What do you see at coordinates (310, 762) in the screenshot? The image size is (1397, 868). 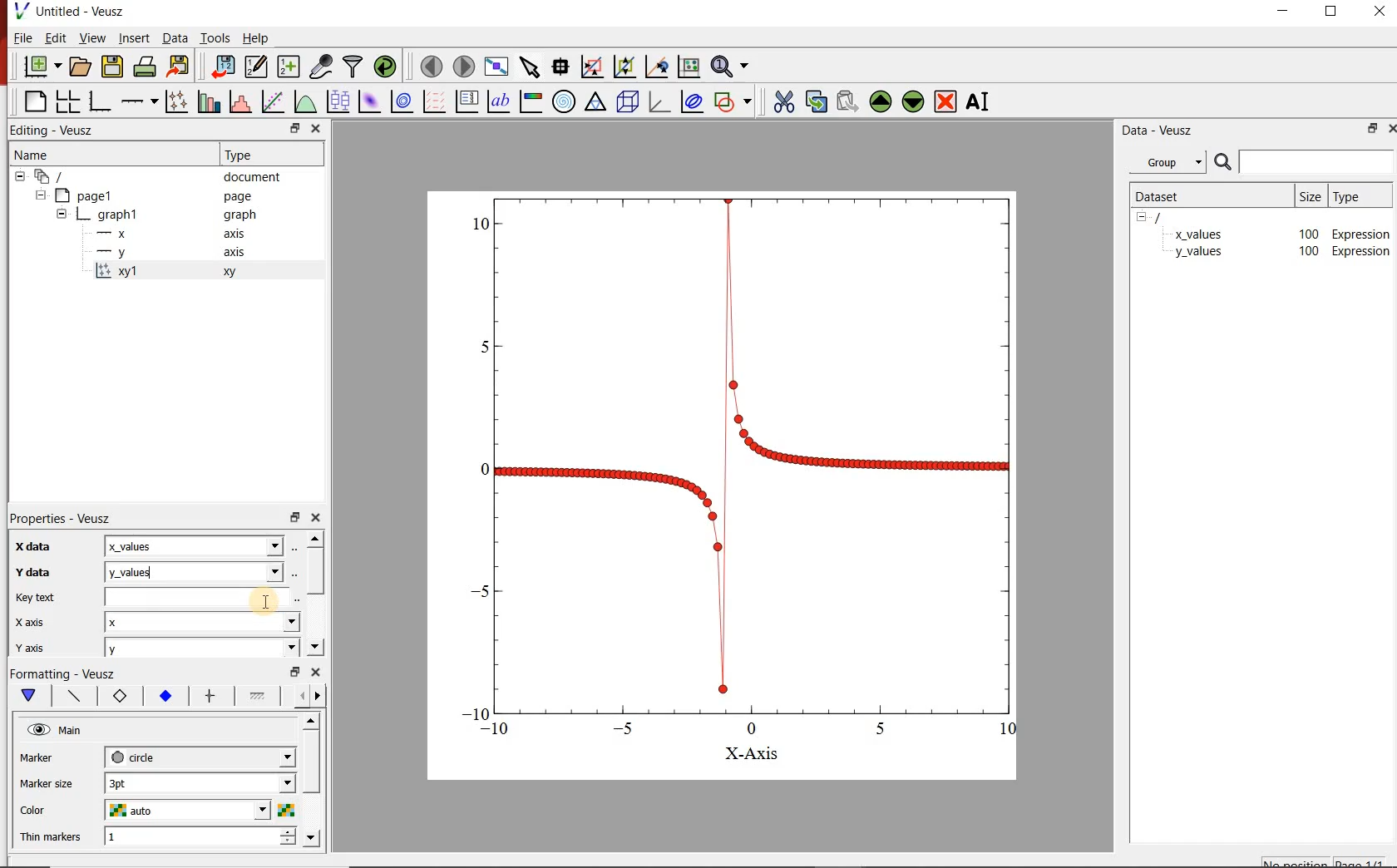 I see `vertical scrollbar` at bounding box center [310, 762].